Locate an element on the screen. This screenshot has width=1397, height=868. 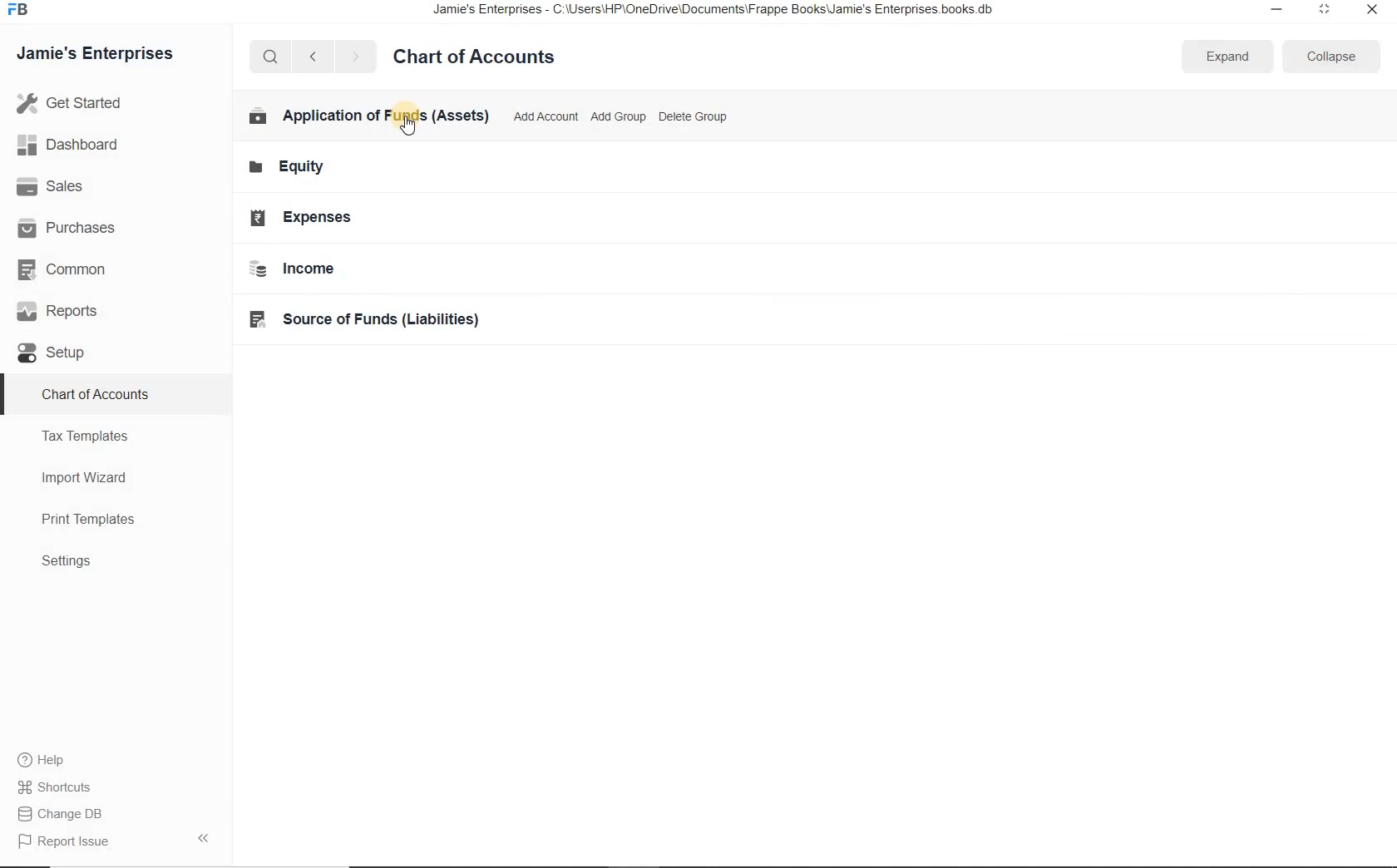
 Setup is located at coordinates (63, 354).